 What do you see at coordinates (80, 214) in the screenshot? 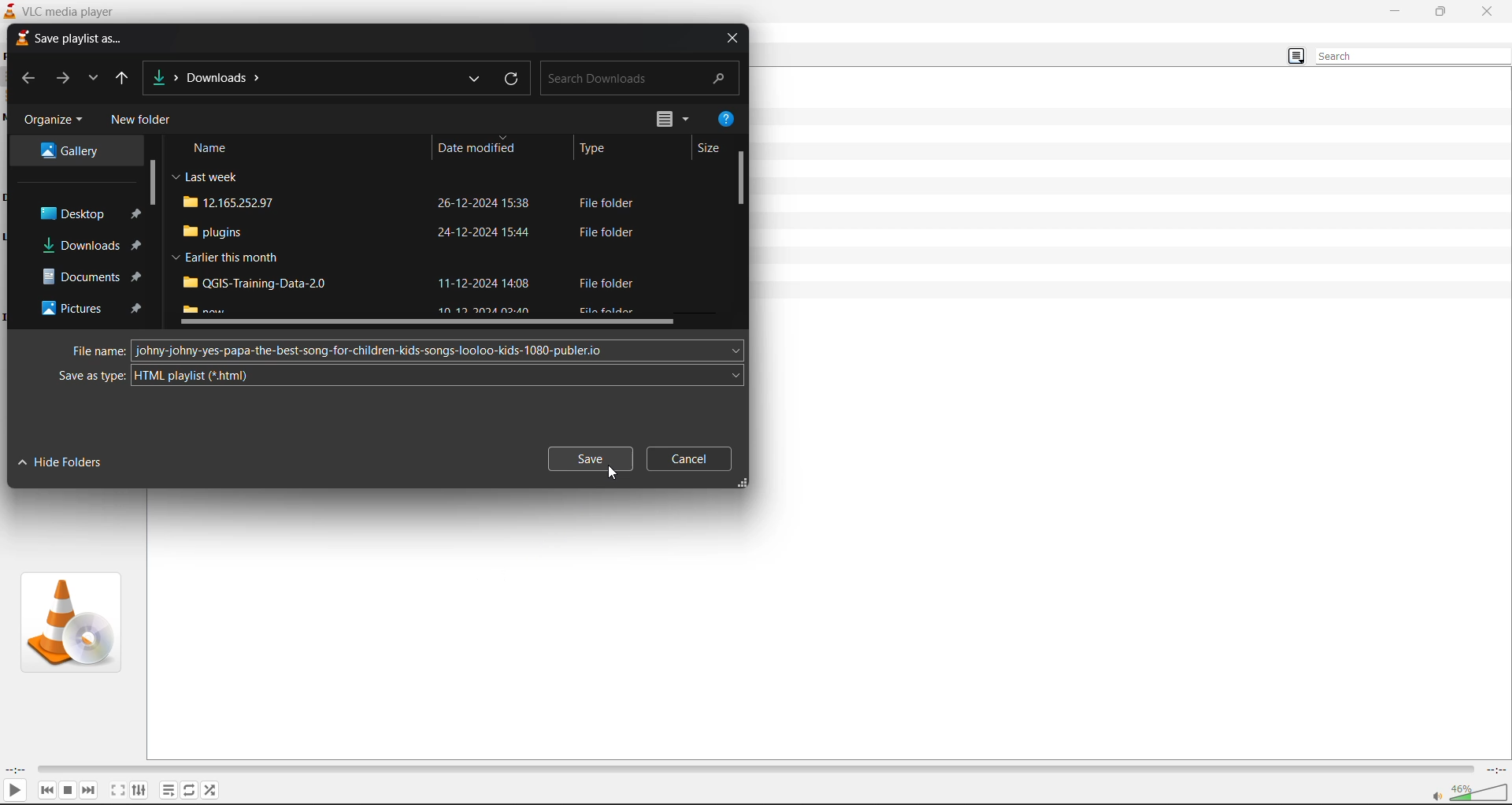
I see `desktop` at bounding box center [80, 214].